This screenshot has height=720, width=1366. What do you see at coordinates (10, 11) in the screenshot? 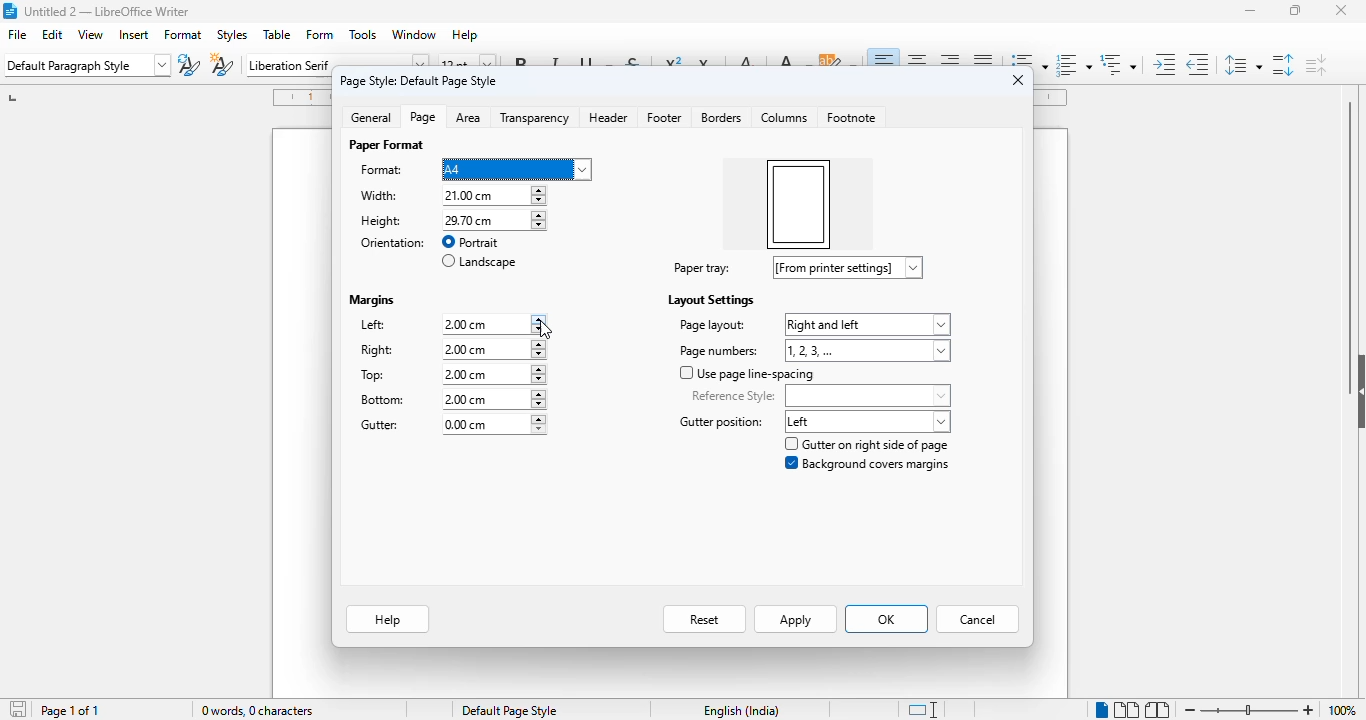
I see `logo` at bounding box center [10, 11].